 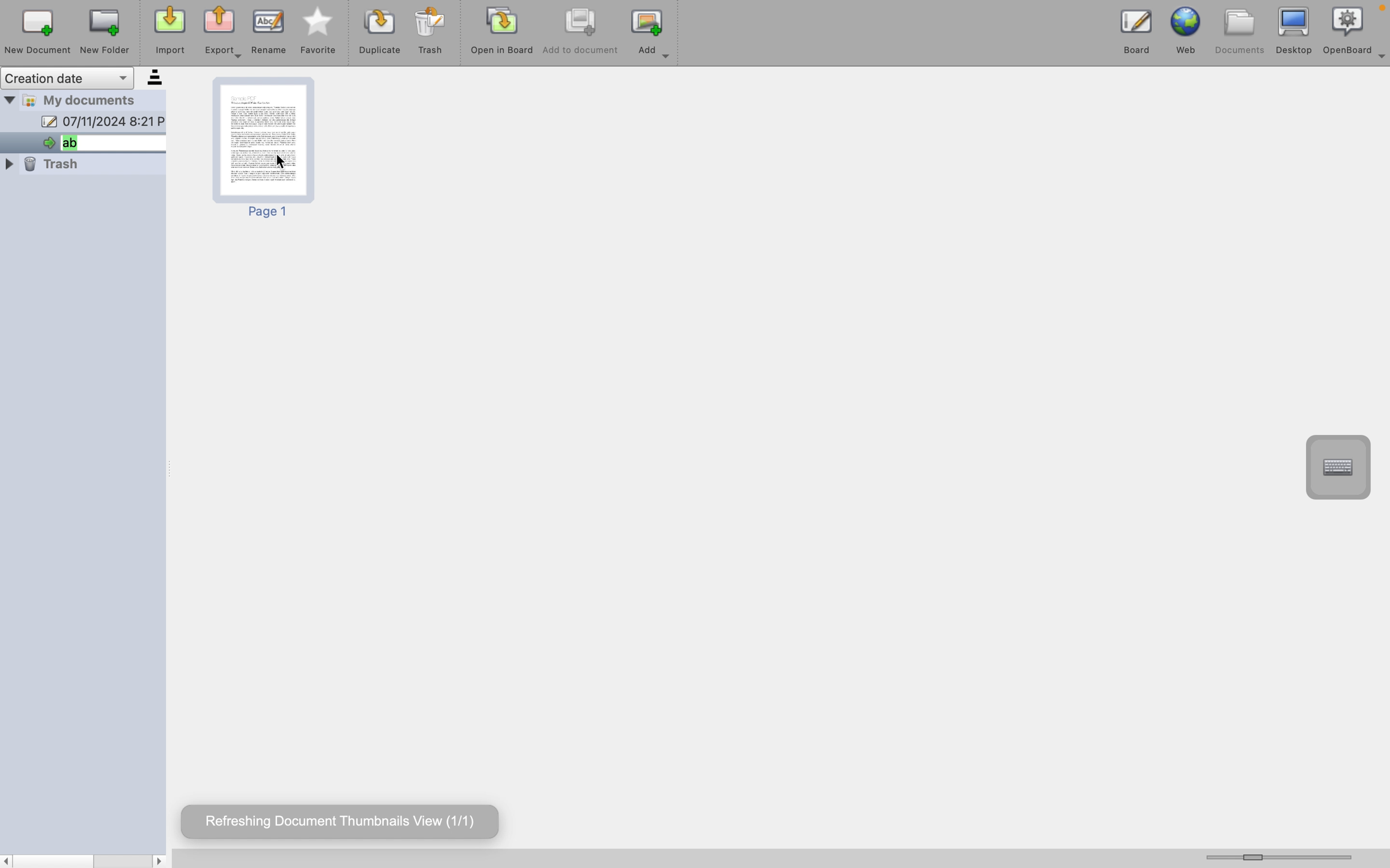 What do you see at coordinates (80, 166) in the screenshot?
I see `trash` at bounding box center [80, 166].